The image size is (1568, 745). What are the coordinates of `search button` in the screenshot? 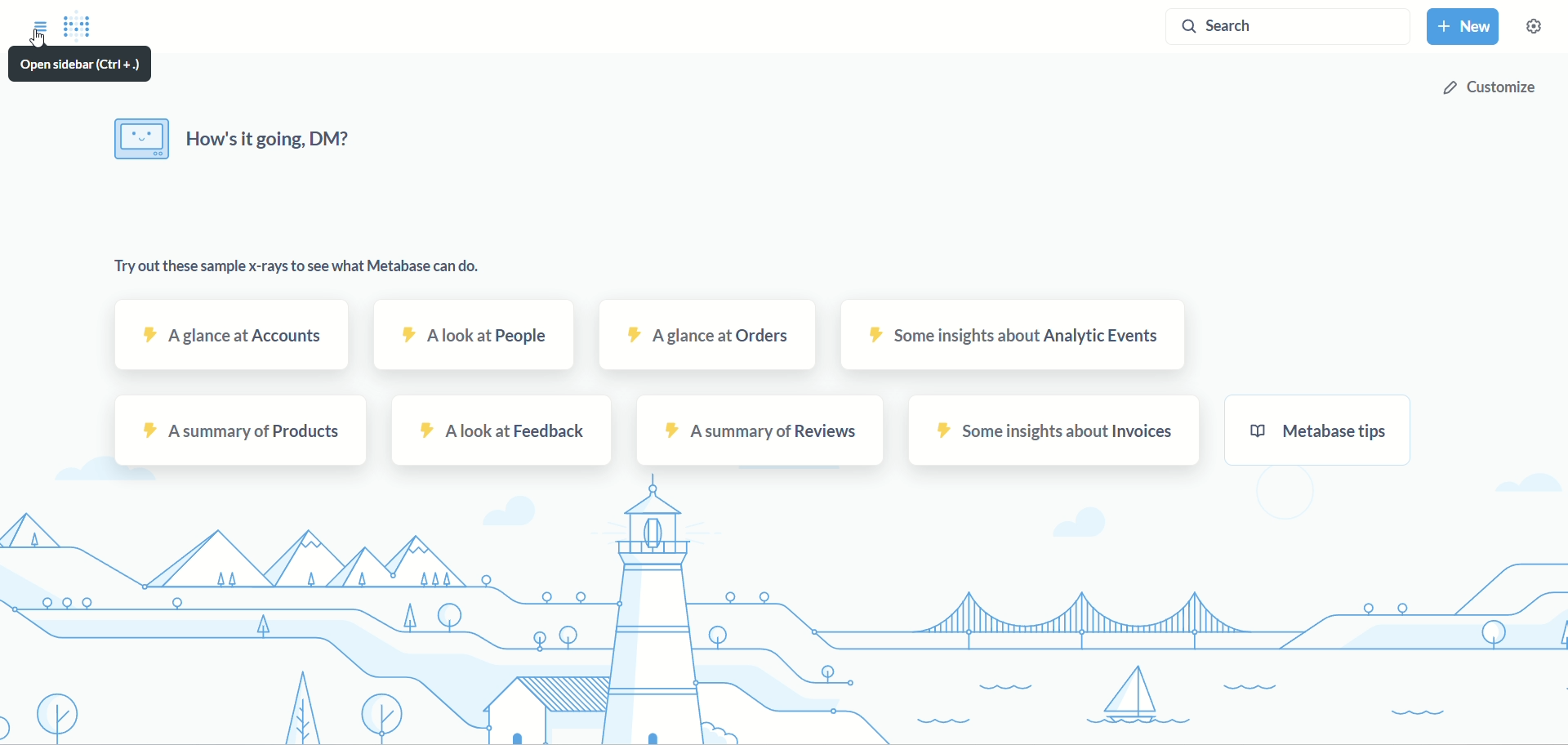 It's located at (1286, 30).